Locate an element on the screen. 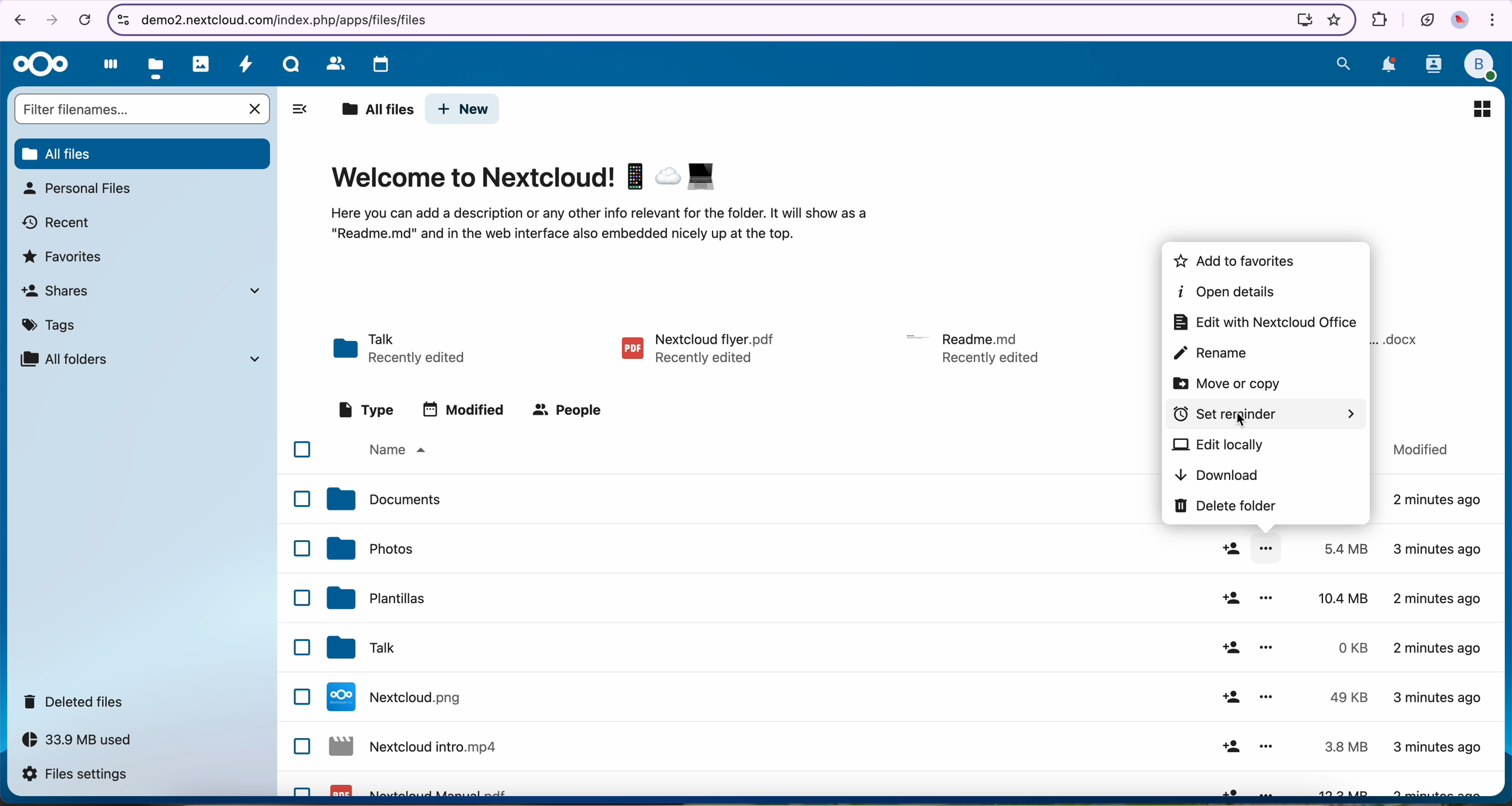 The image size is (1512, 806). shares is located at coordinates (147, 293).